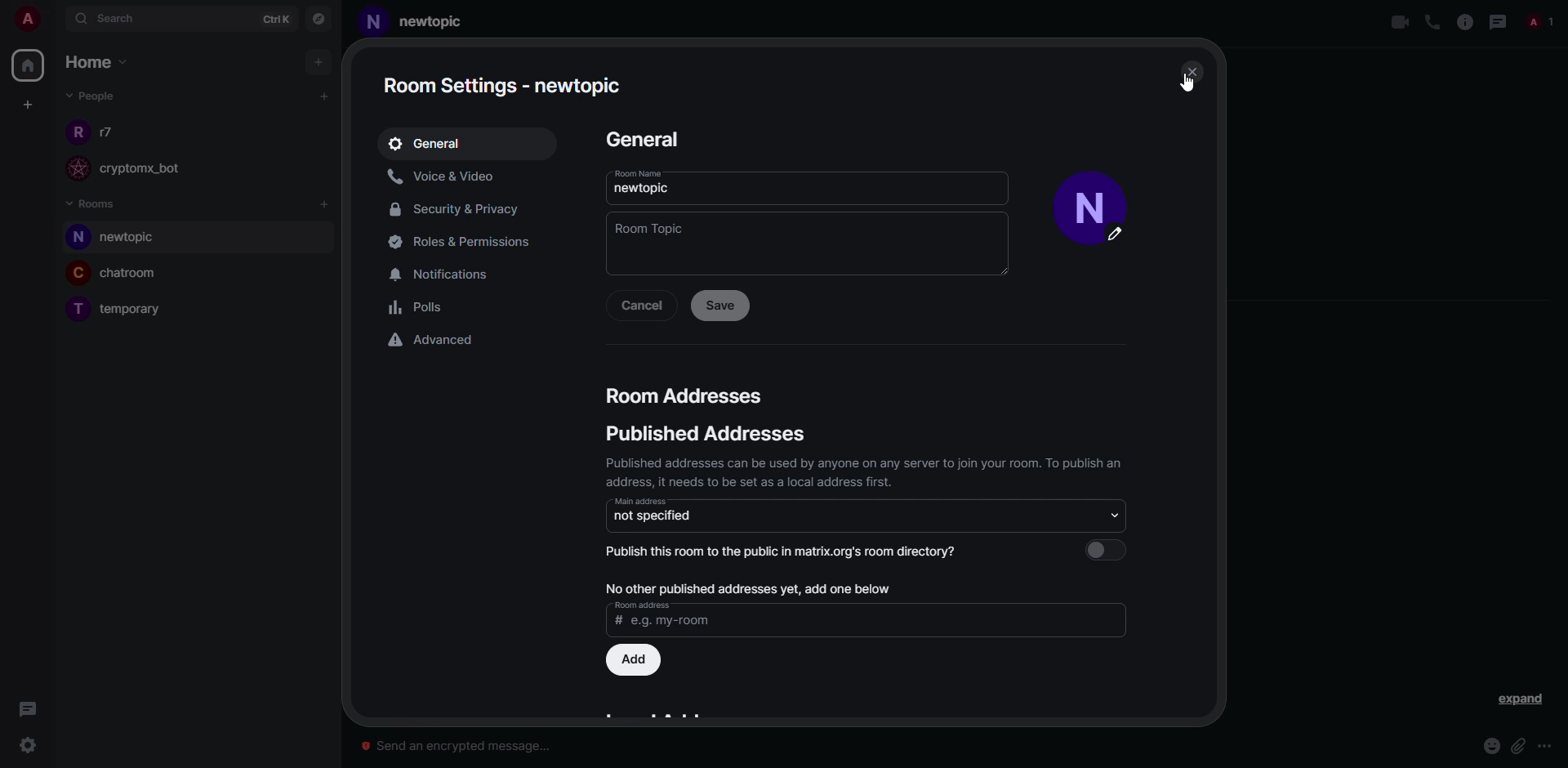 Image resolution: width=1568 pixels, height=768 pixels. Describe the element at coordinates (670, 623) in the screenshot. I see `eg` at that location.